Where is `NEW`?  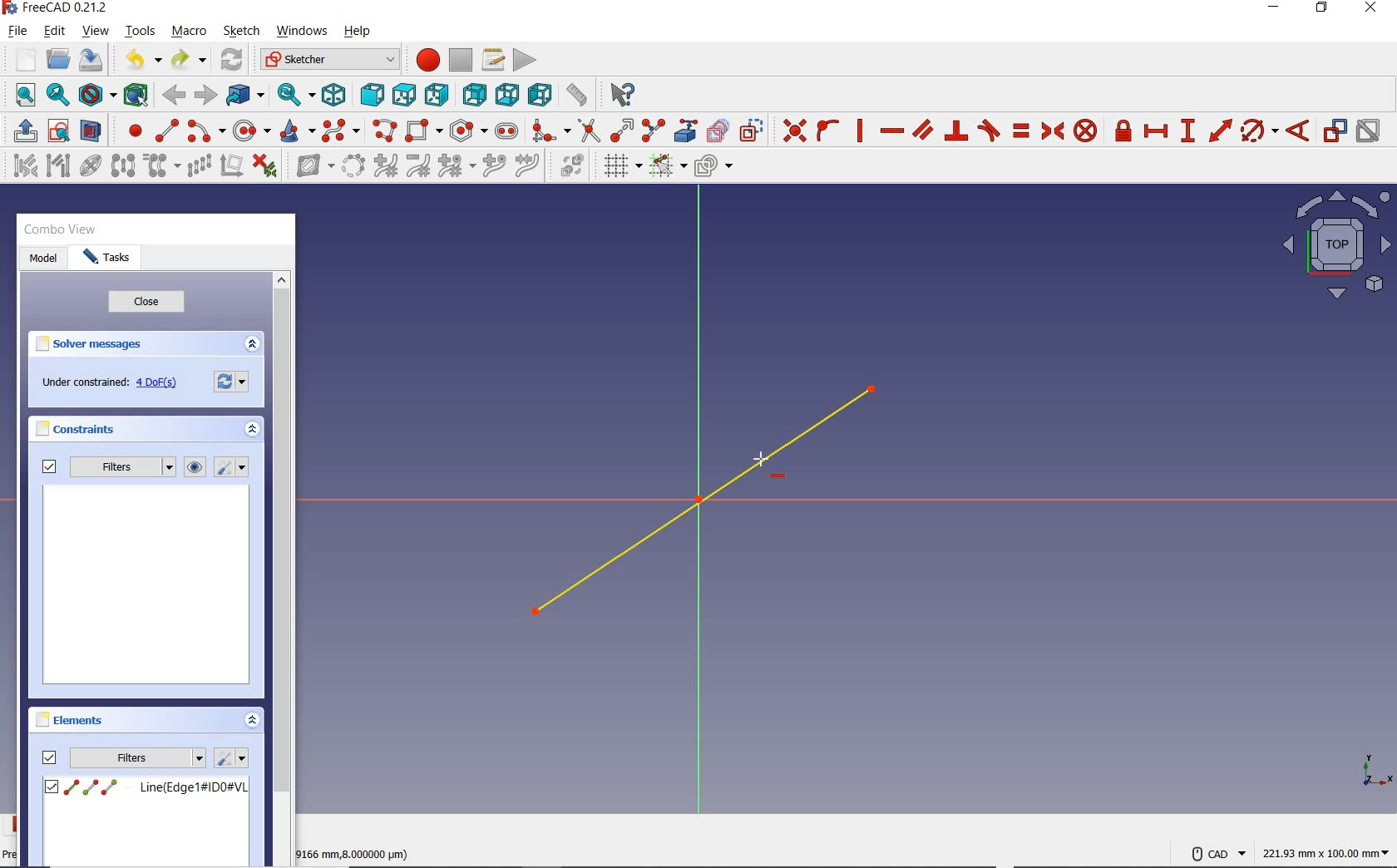
NEW is located at coordinates (22, 58).